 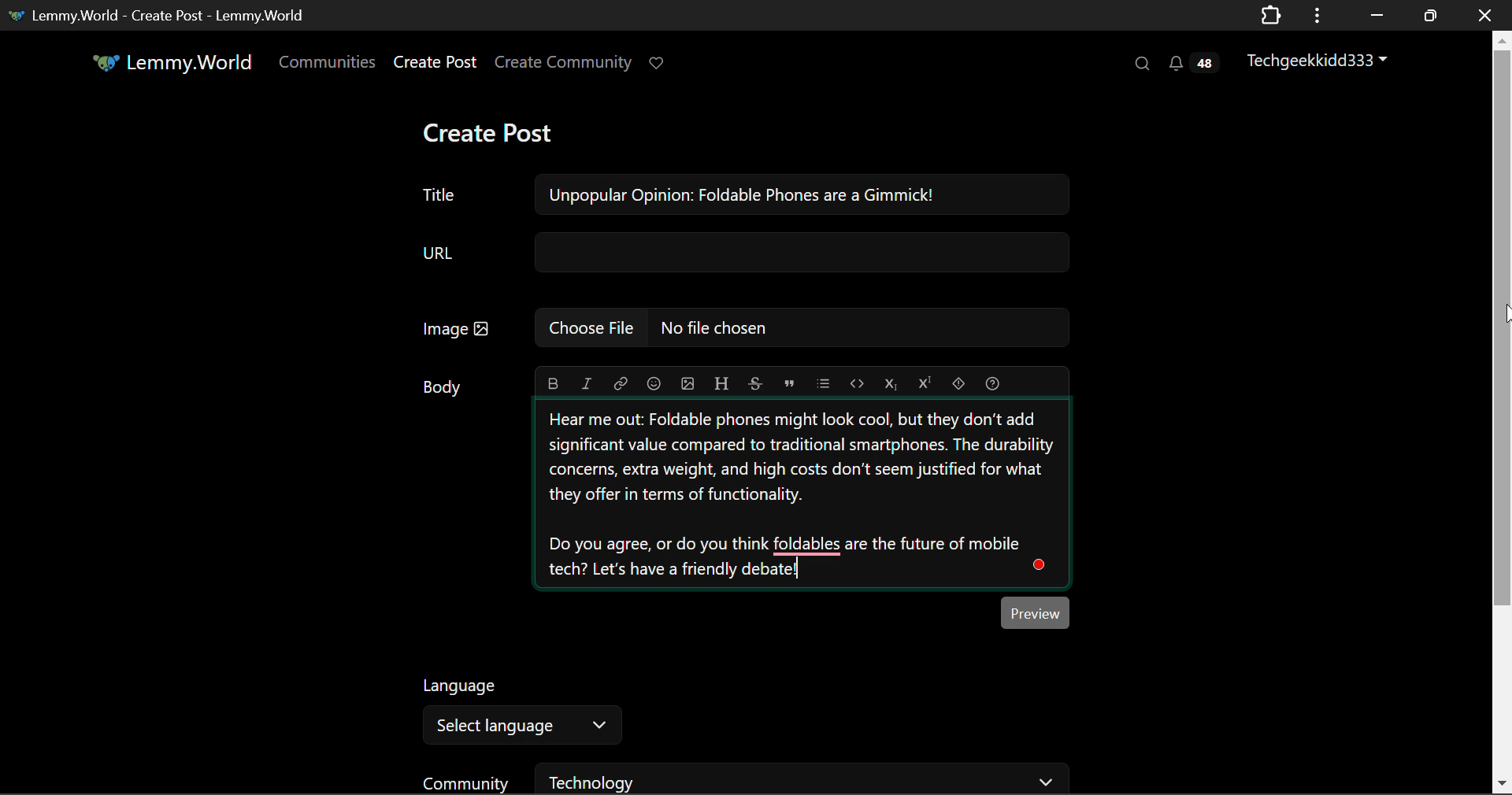 What do you see at coordinates (487, 135) in the screenshot?
I see `Create Post` at bounding box center [487, 135].